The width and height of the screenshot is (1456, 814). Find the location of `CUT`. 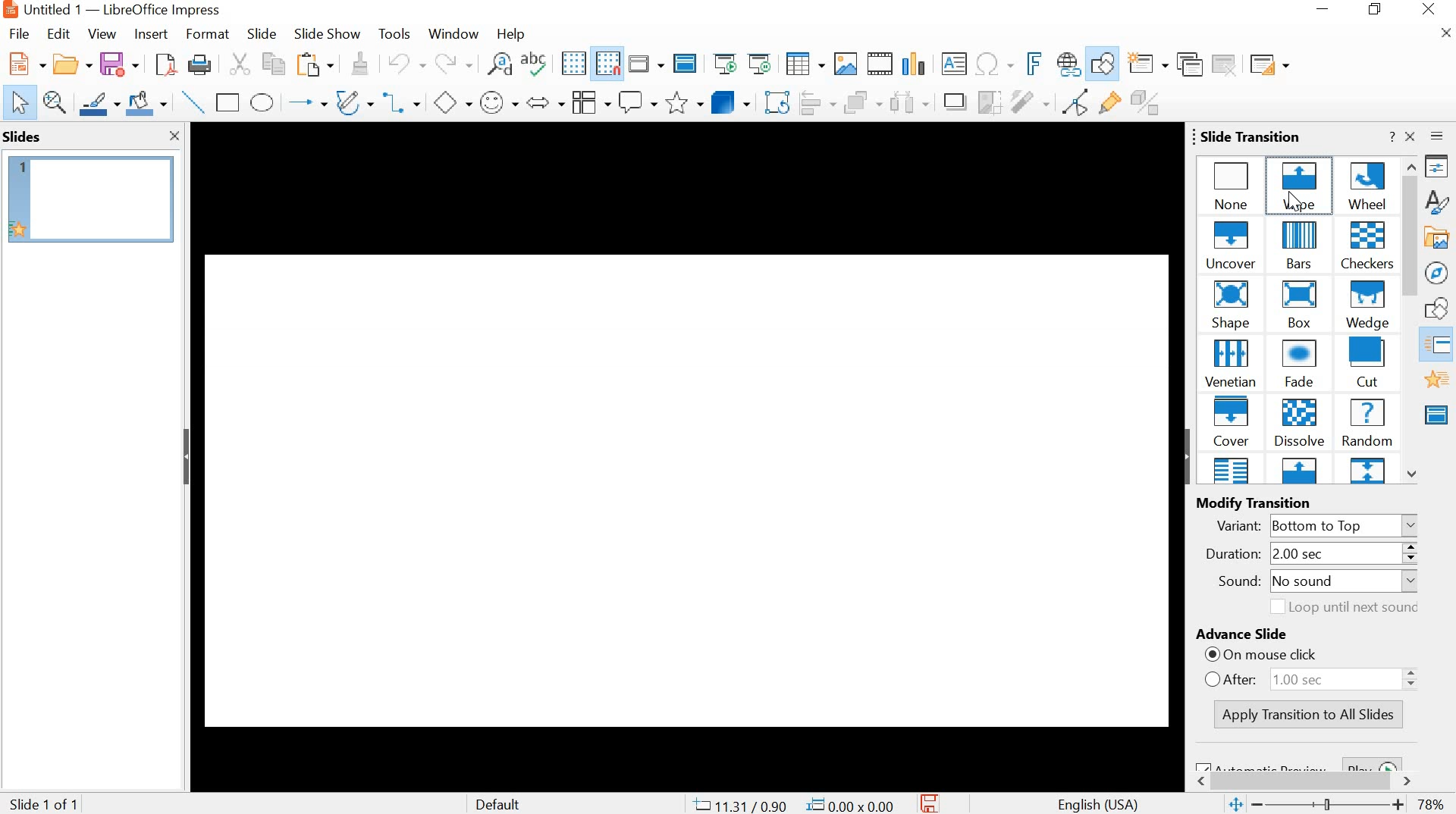

CUT is located at coordinates (1368, 363).